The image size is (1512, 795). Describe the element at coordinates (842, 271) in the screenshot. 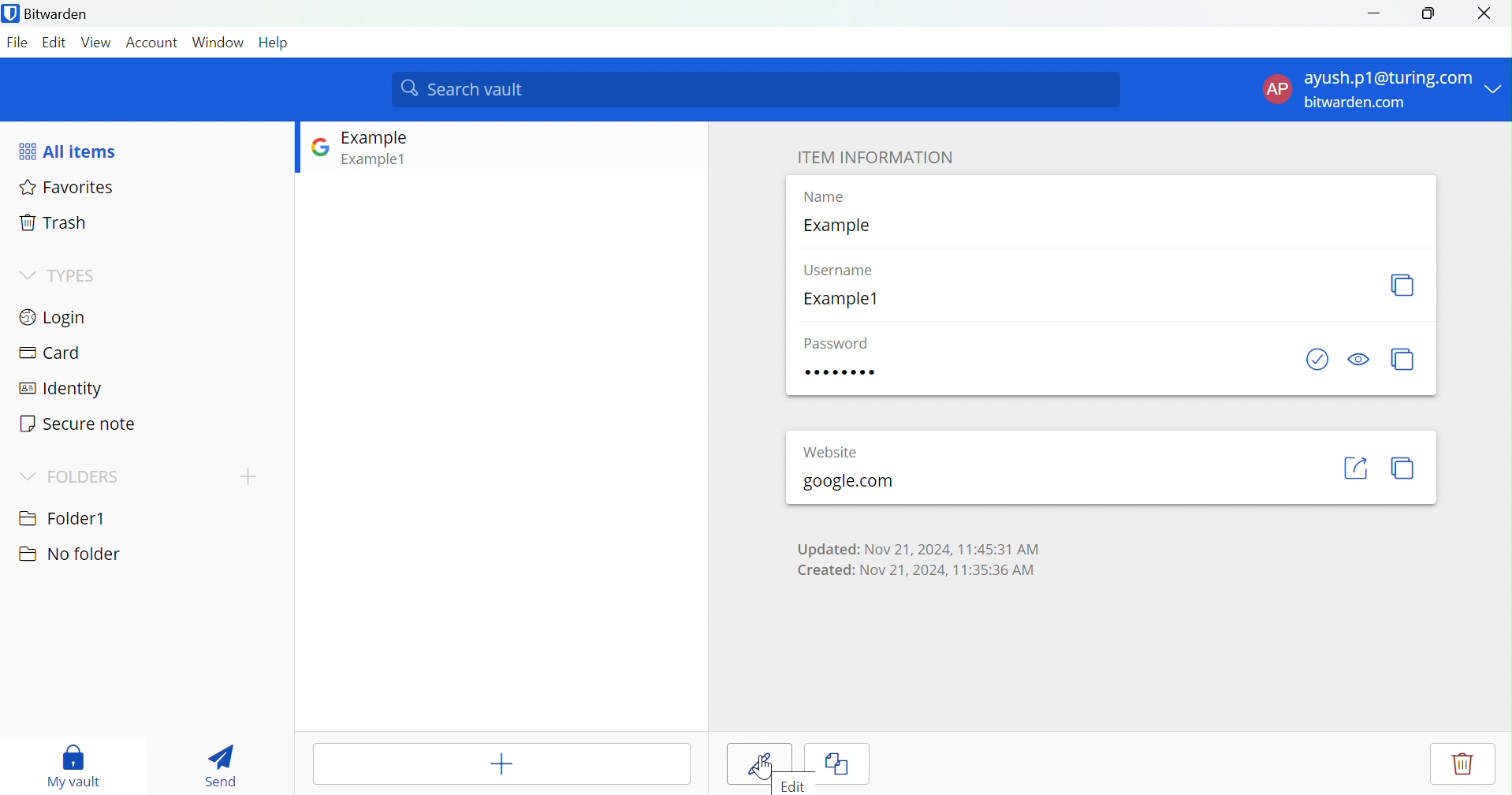

I see `Username` at that location.